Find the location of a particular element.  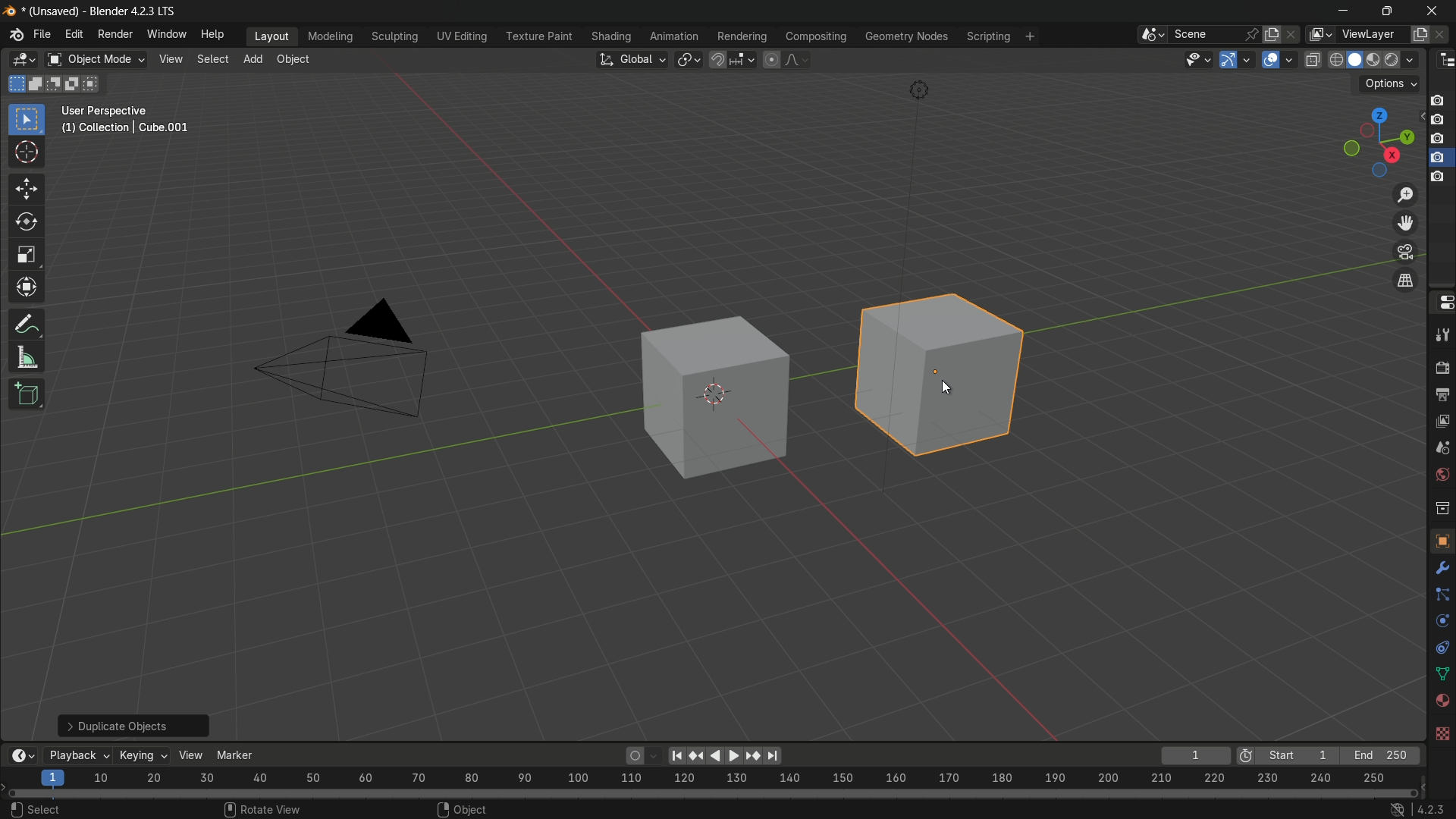

view is located at coordinates (193, 755).